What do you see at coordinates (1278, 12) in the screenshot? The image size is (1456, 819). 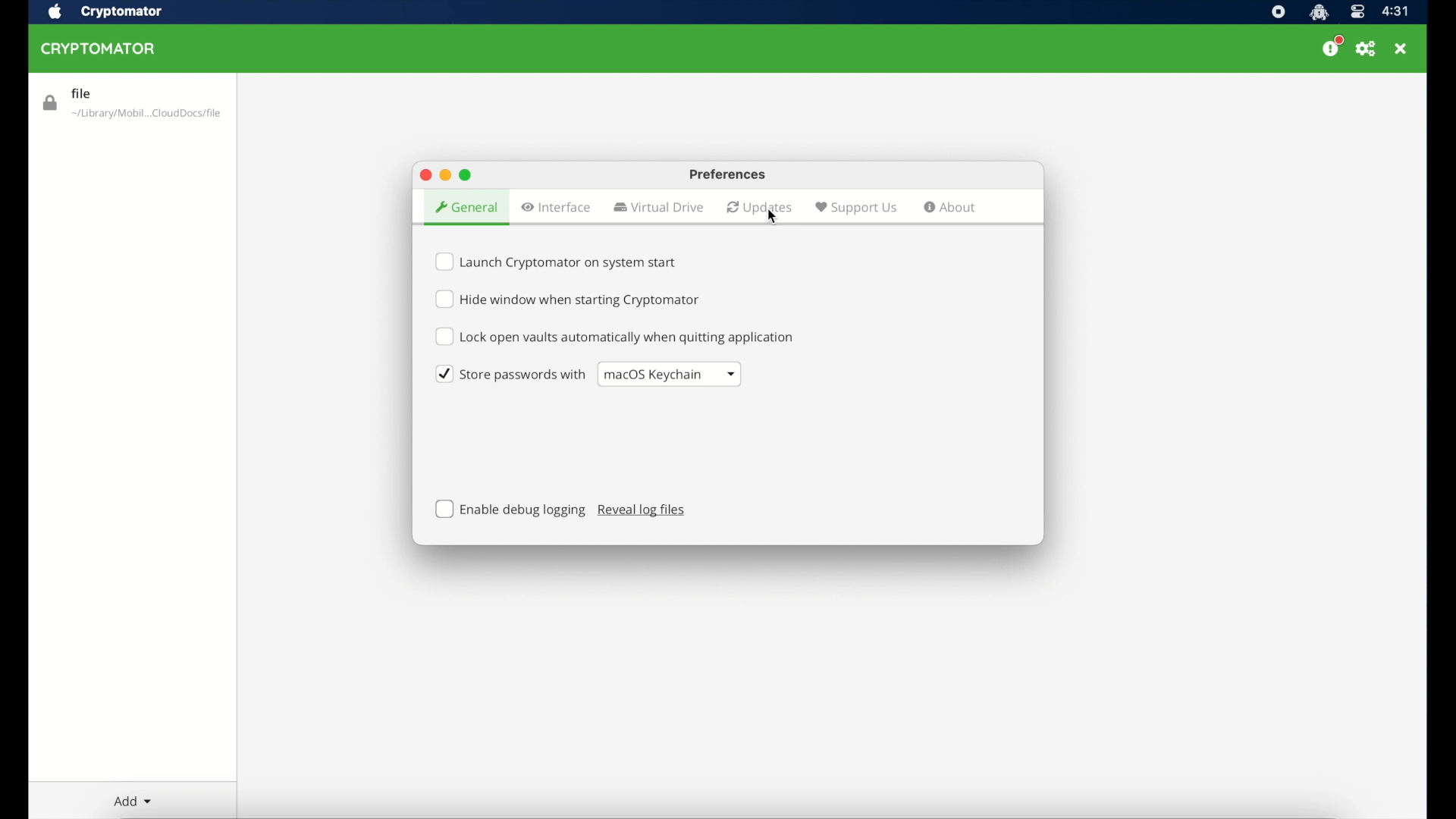 I see `screen recorder icon` at bounding box center [1278, 12].